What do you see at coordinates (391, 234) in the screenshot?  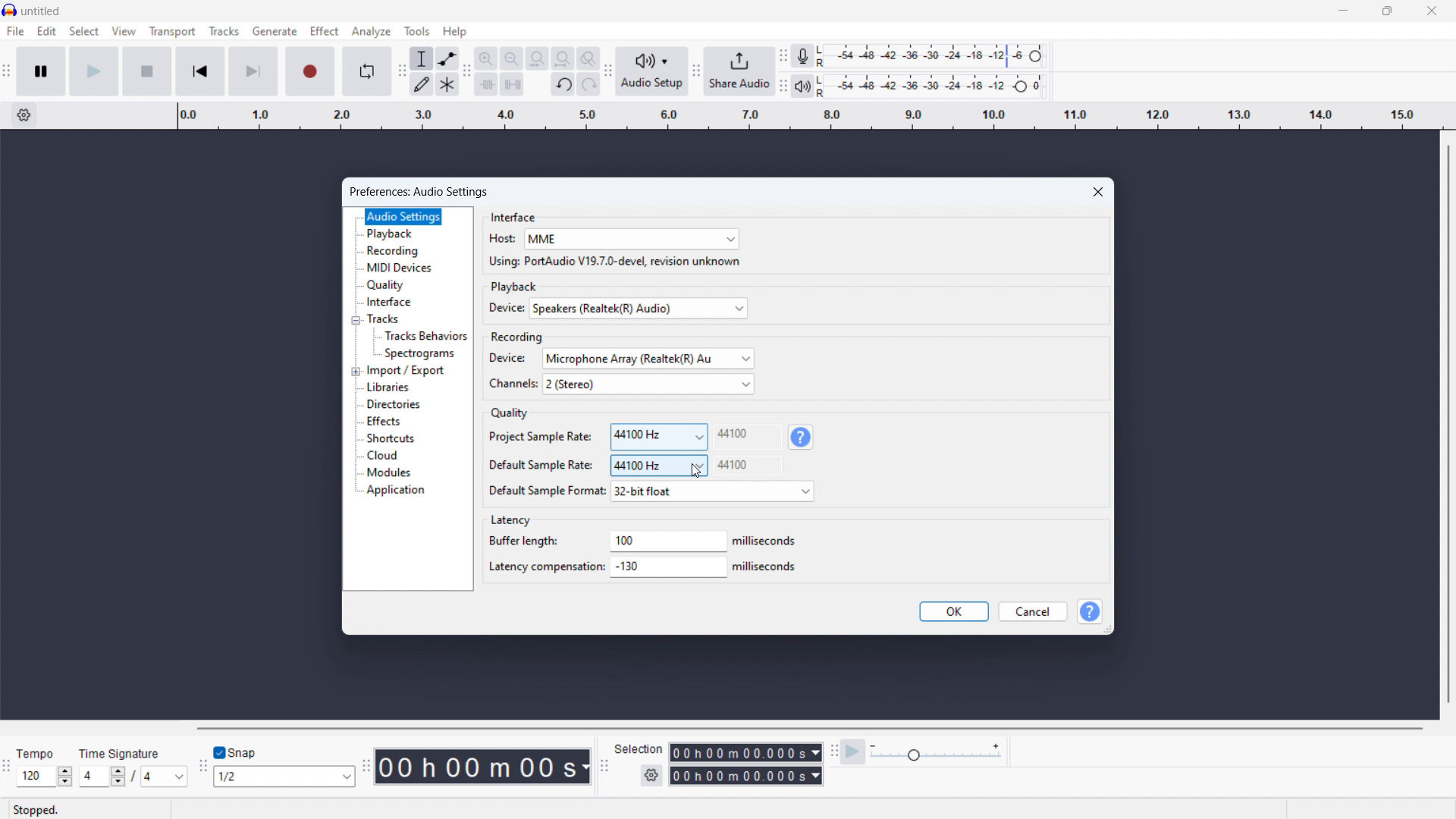 I see `playback` at bounding box center [391, 234].